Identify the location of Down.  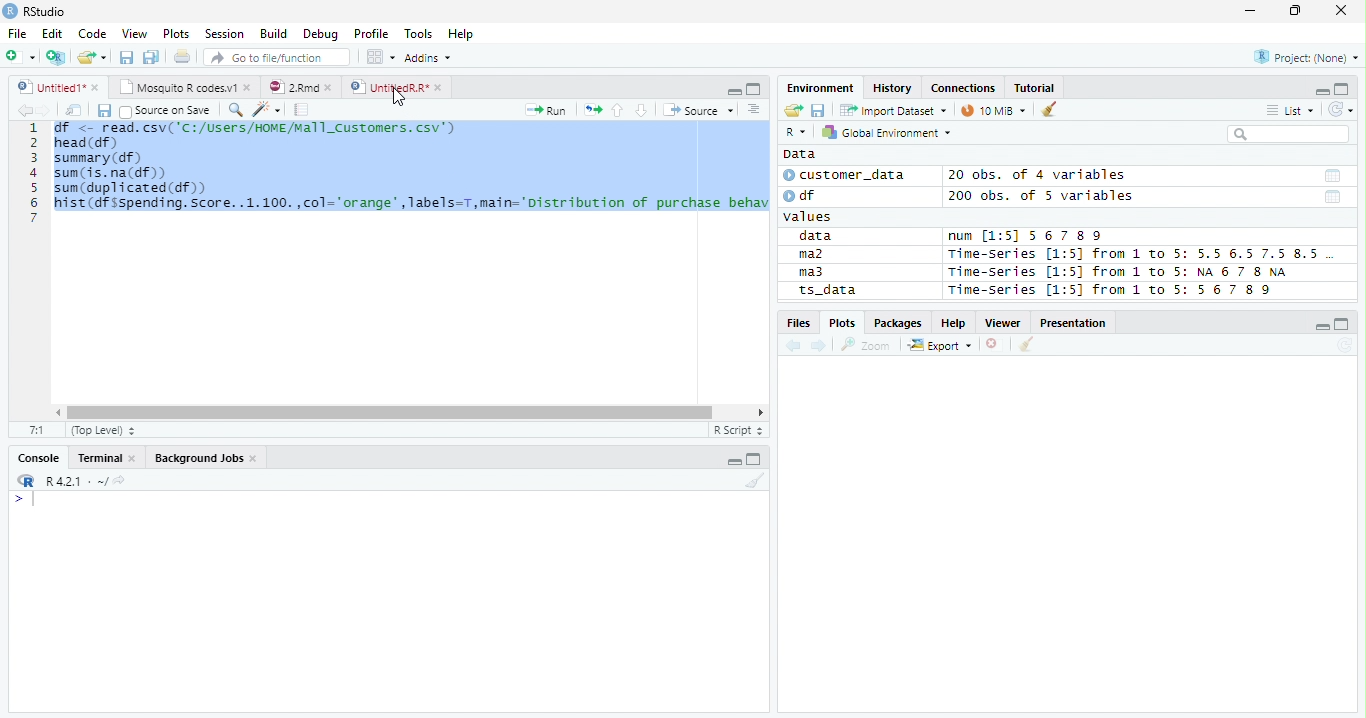
(641, 111).